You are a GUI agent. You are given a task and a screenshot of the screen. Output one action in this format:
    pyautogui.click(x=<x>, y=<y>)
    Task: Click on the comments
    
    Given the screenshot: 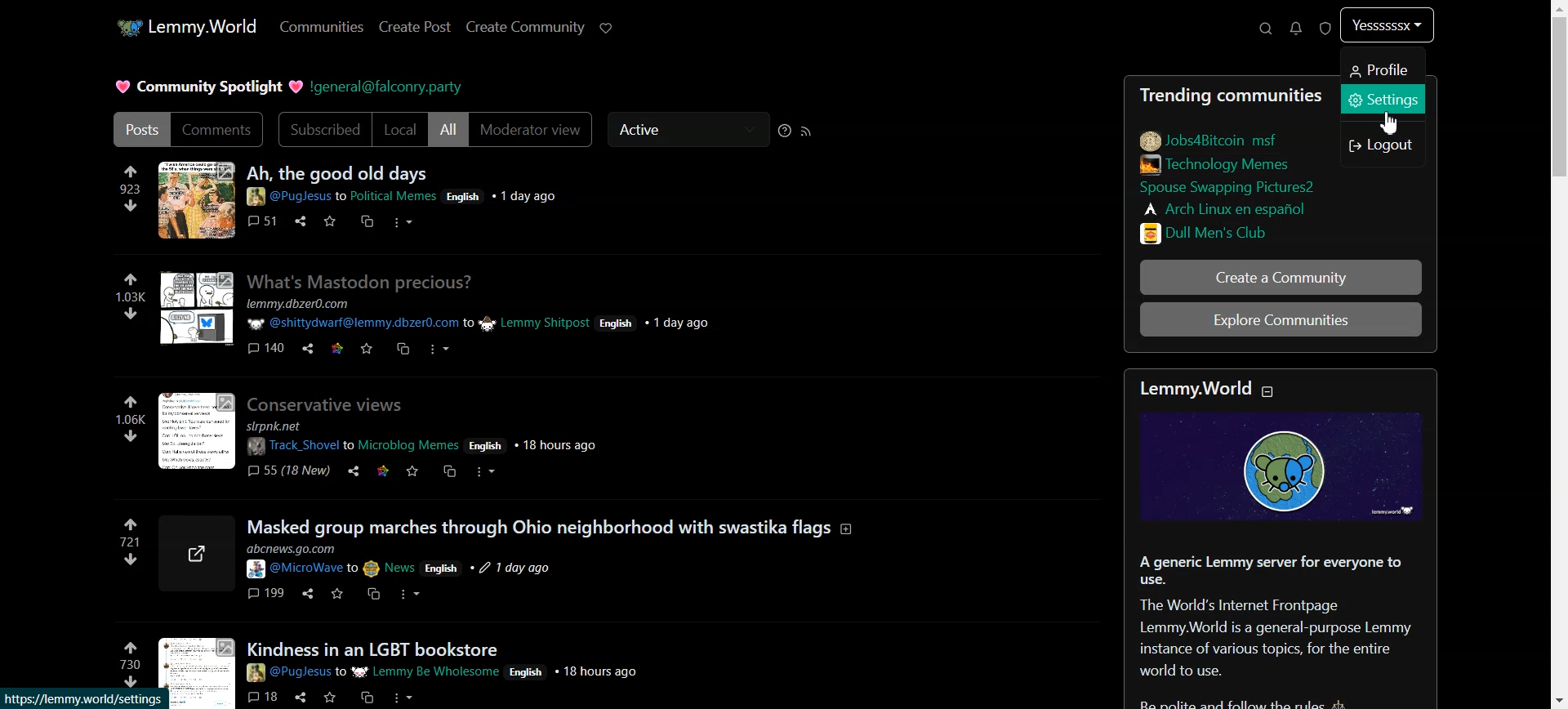 What is the action you would take?
    pyautogui.click(x=266, y=346)
    